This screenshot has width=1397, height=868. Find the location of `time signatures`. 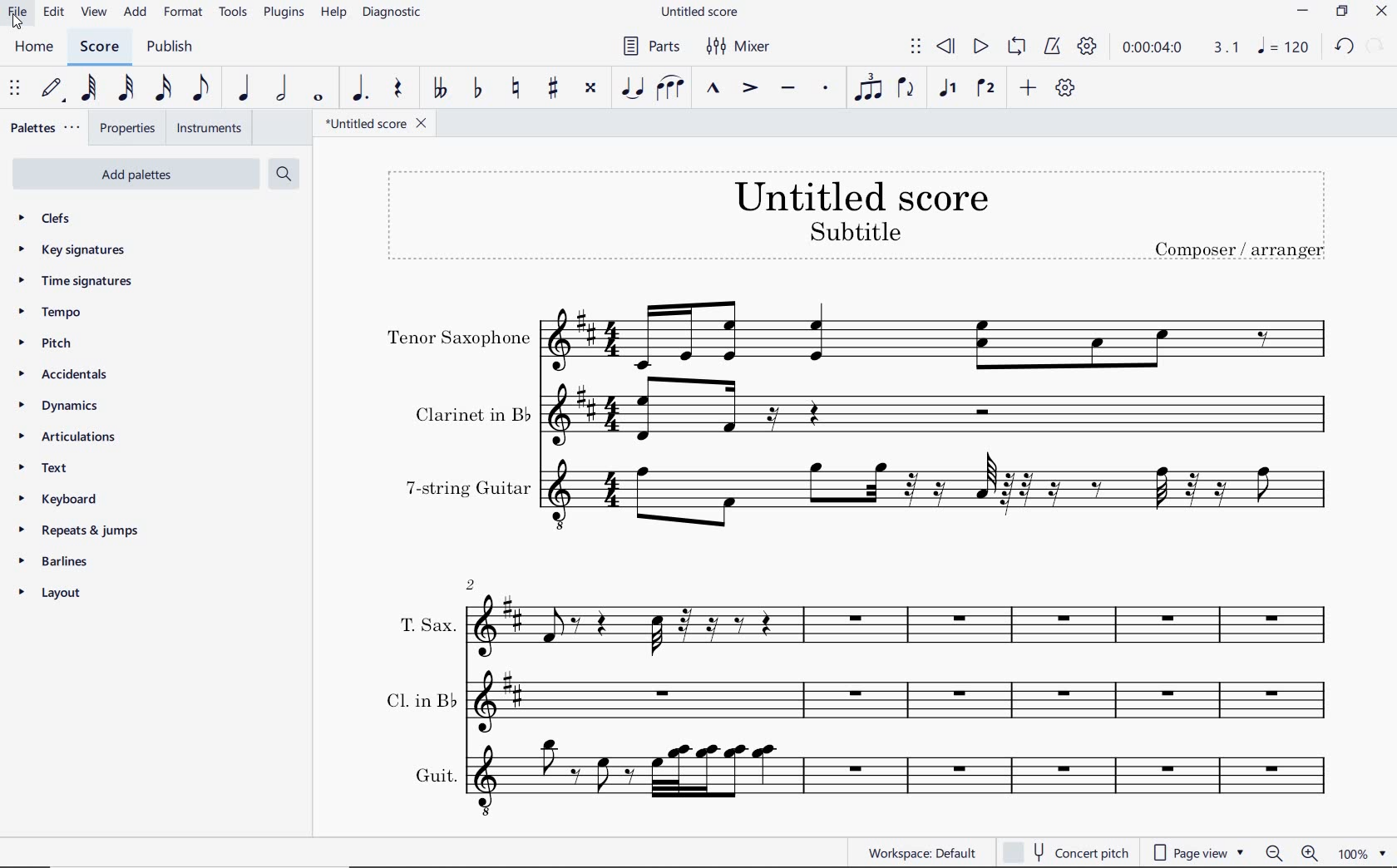

time signatures is located at coordinates (77, 283).